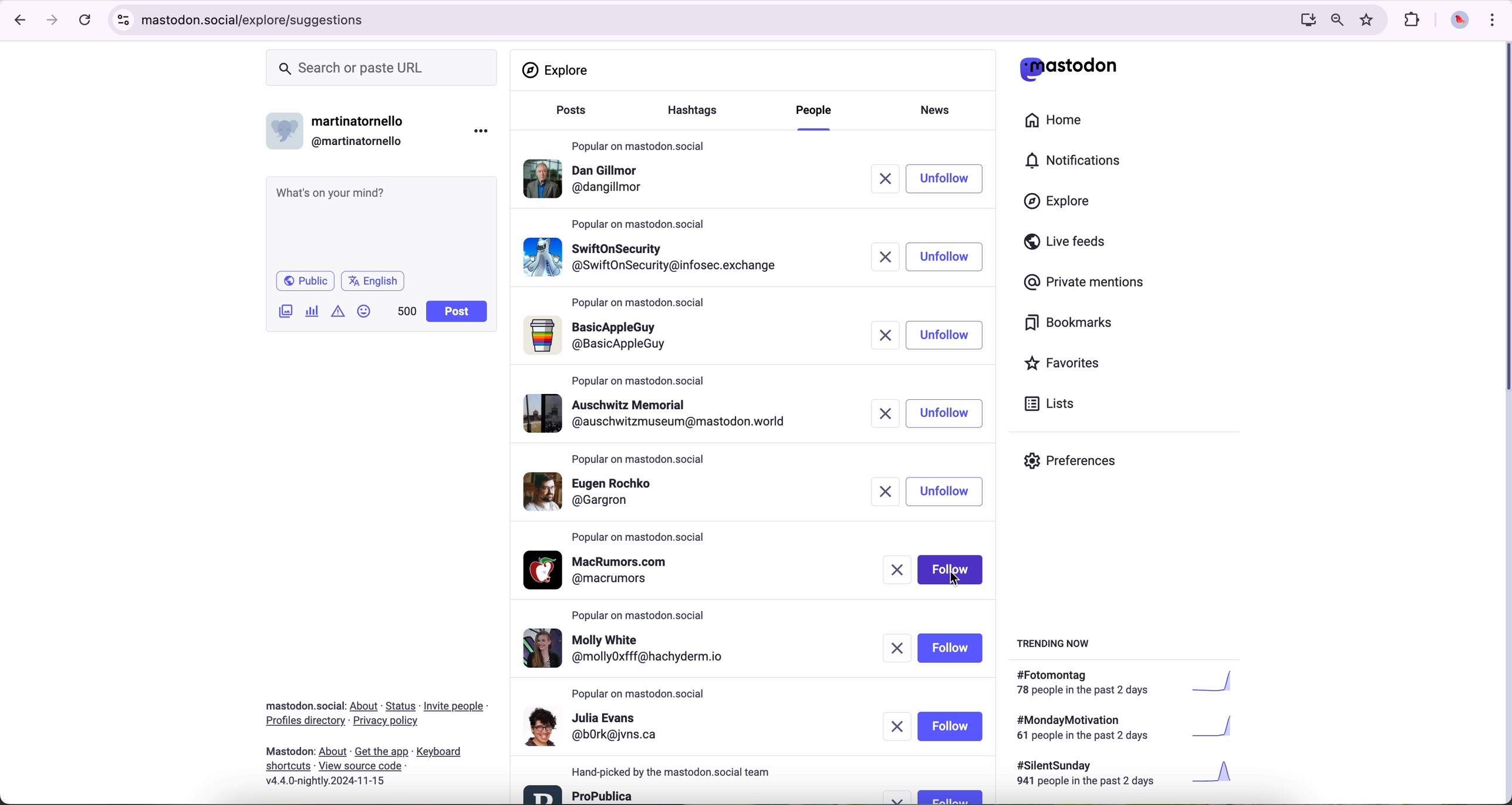 The width and height of the screenshot is (1512, 805). I want to click on language, so click(373, 280).